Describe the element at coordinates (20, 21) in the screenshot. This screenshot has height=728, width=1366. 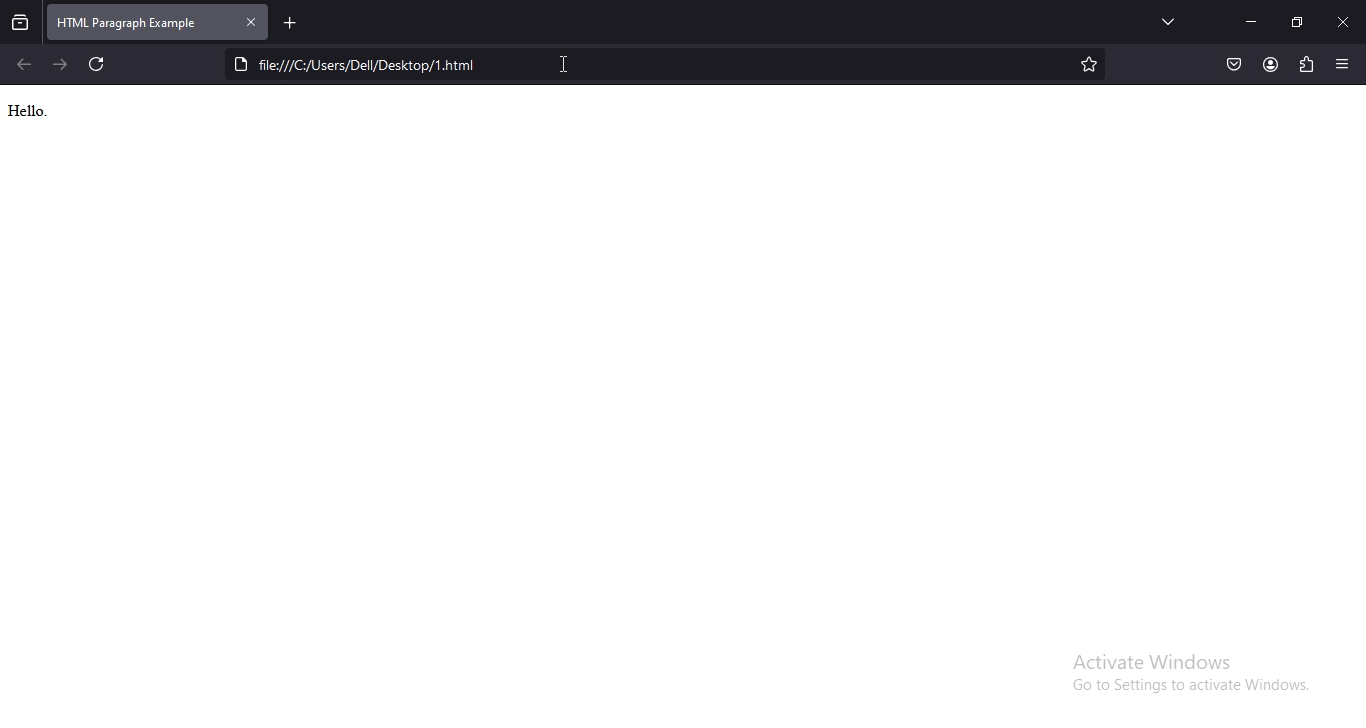
I see `view recent browsing across windows and devices` at that location.